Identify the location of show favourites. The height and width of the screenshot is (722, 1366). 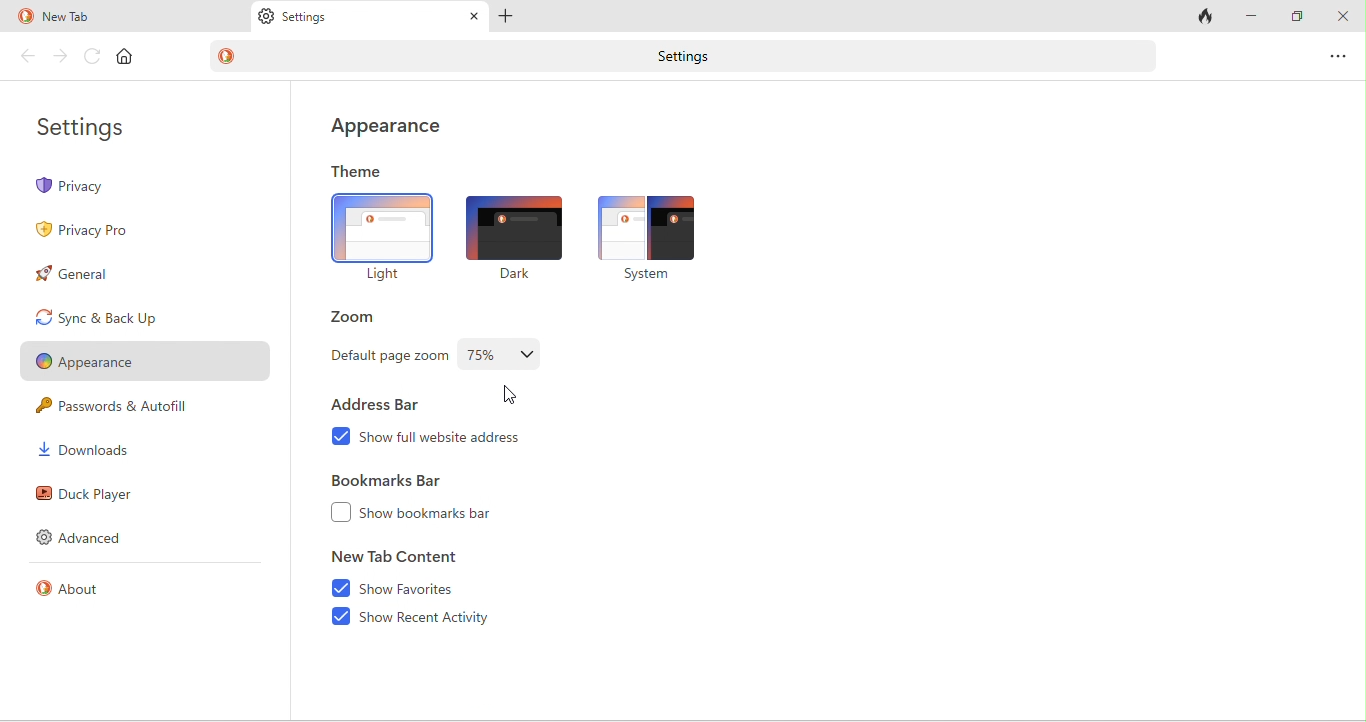
(411, 586).